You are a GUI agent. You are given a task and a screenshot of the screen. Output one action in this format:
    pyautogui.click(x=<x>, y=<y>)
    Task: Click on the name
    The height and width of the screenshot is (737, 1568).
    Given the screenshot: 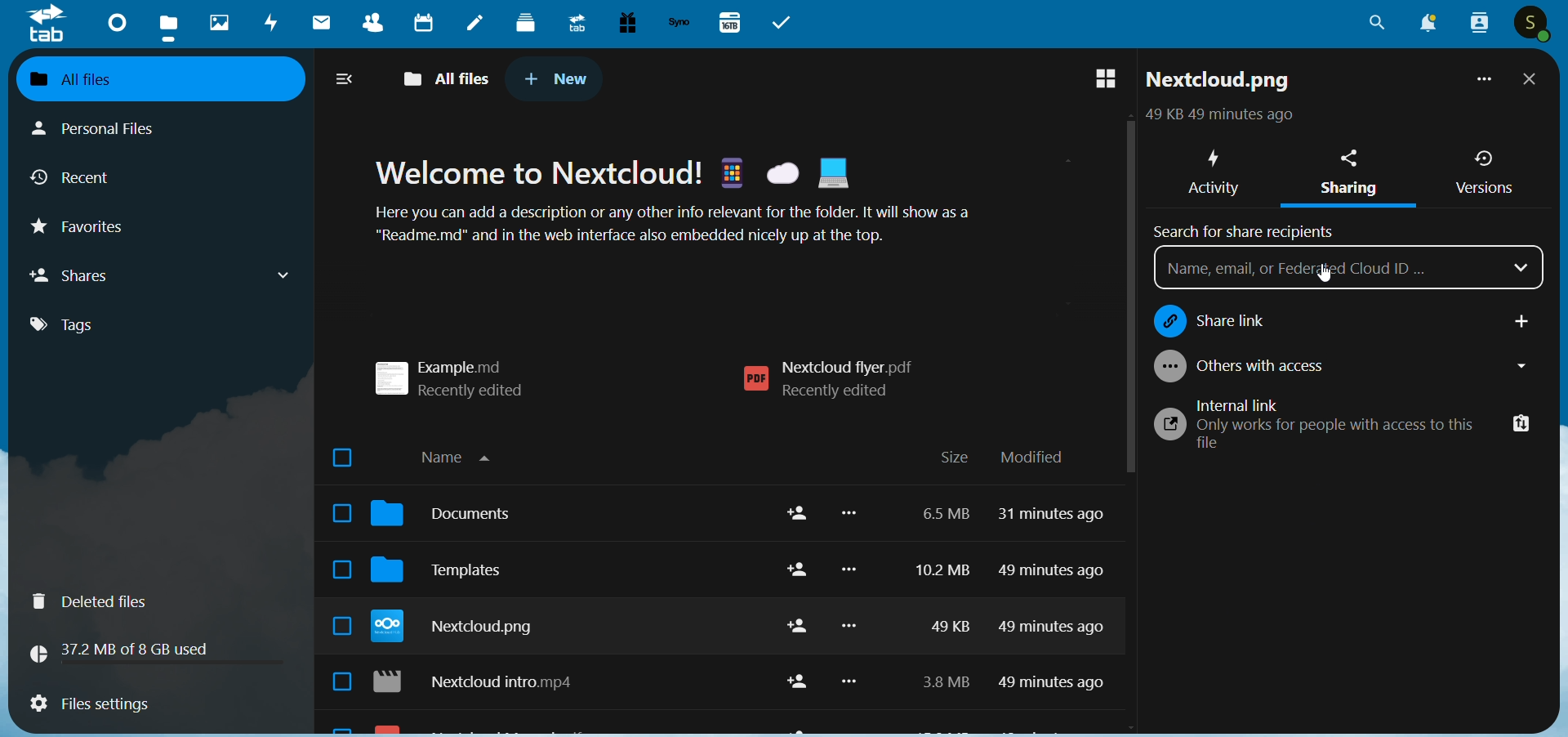 What is the action you would take?
    pyautogui.click(x=464, y=454)
    